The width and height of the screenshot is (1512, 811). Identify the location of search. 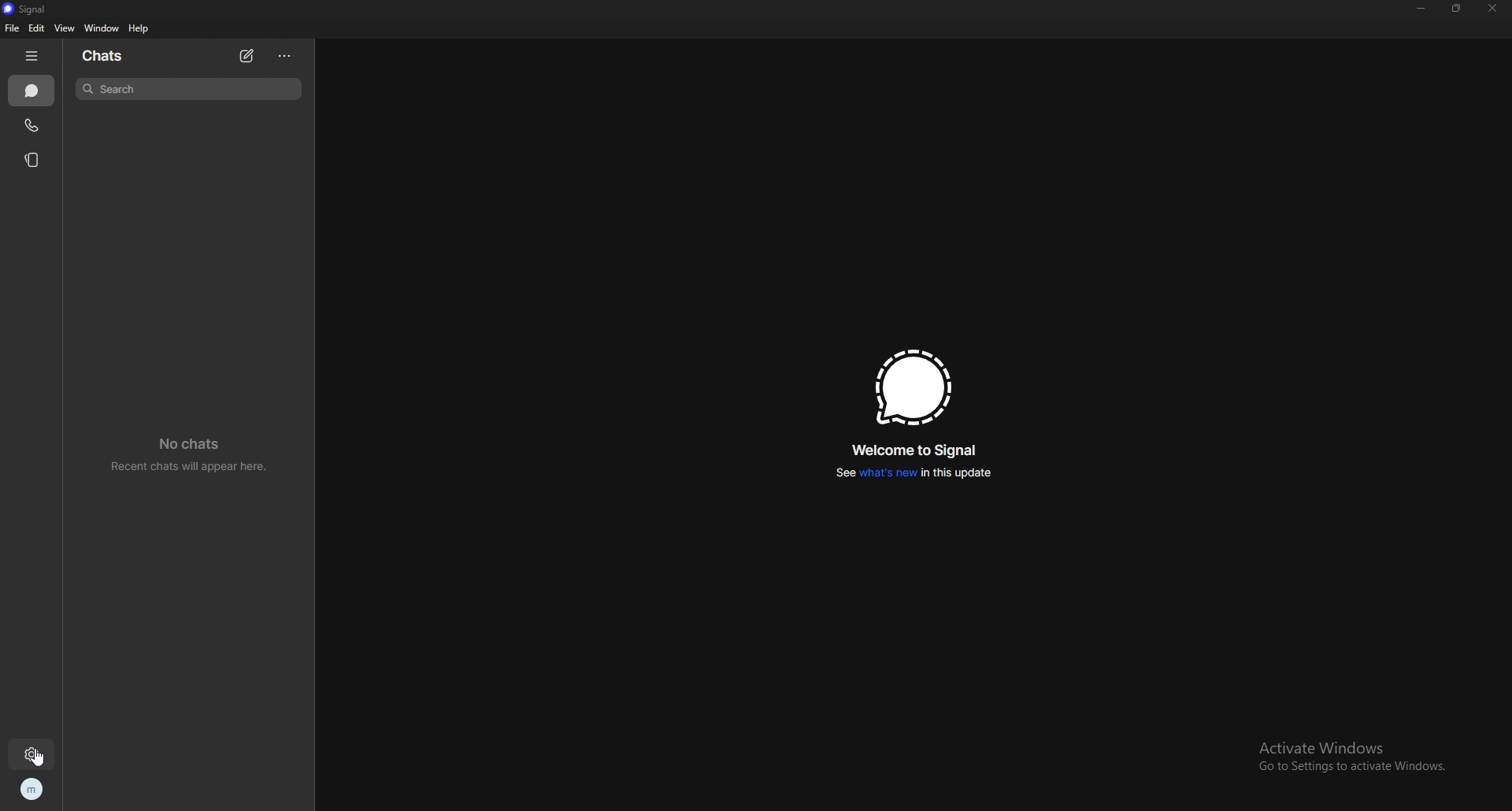
(187, 88).